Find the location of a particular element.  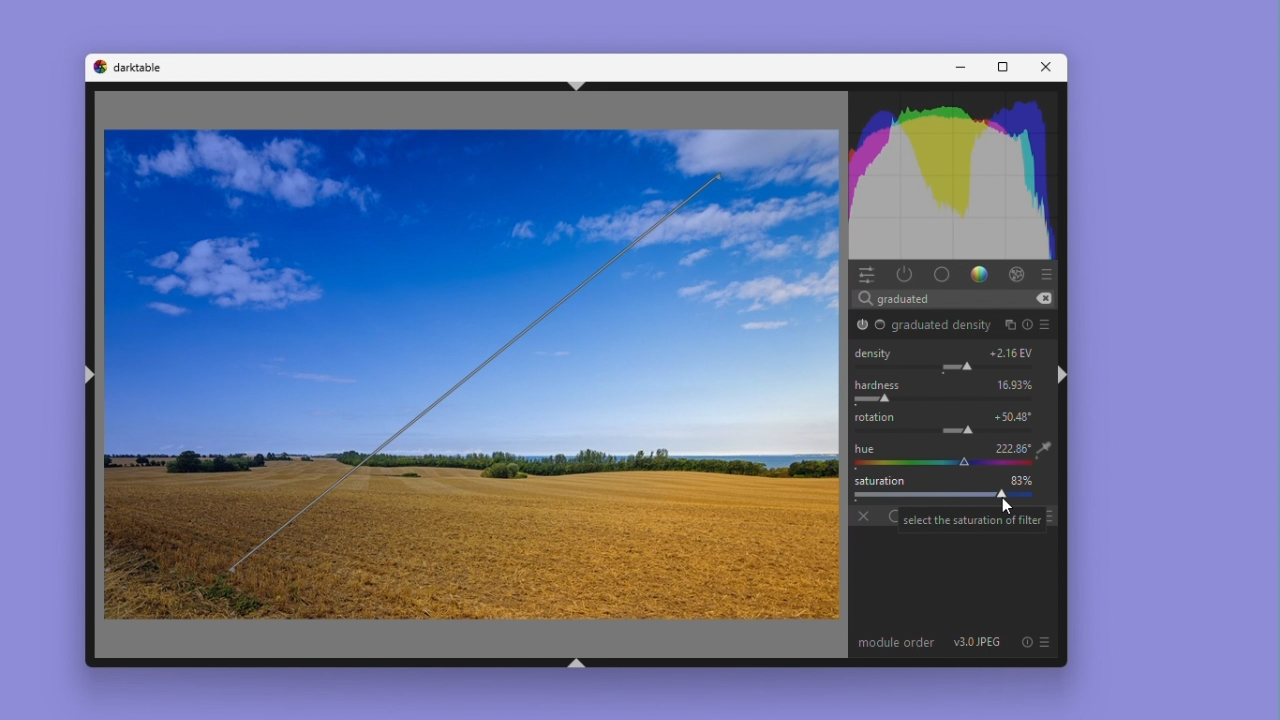

Brush Hardness slider is located at coordinates (950, 400).